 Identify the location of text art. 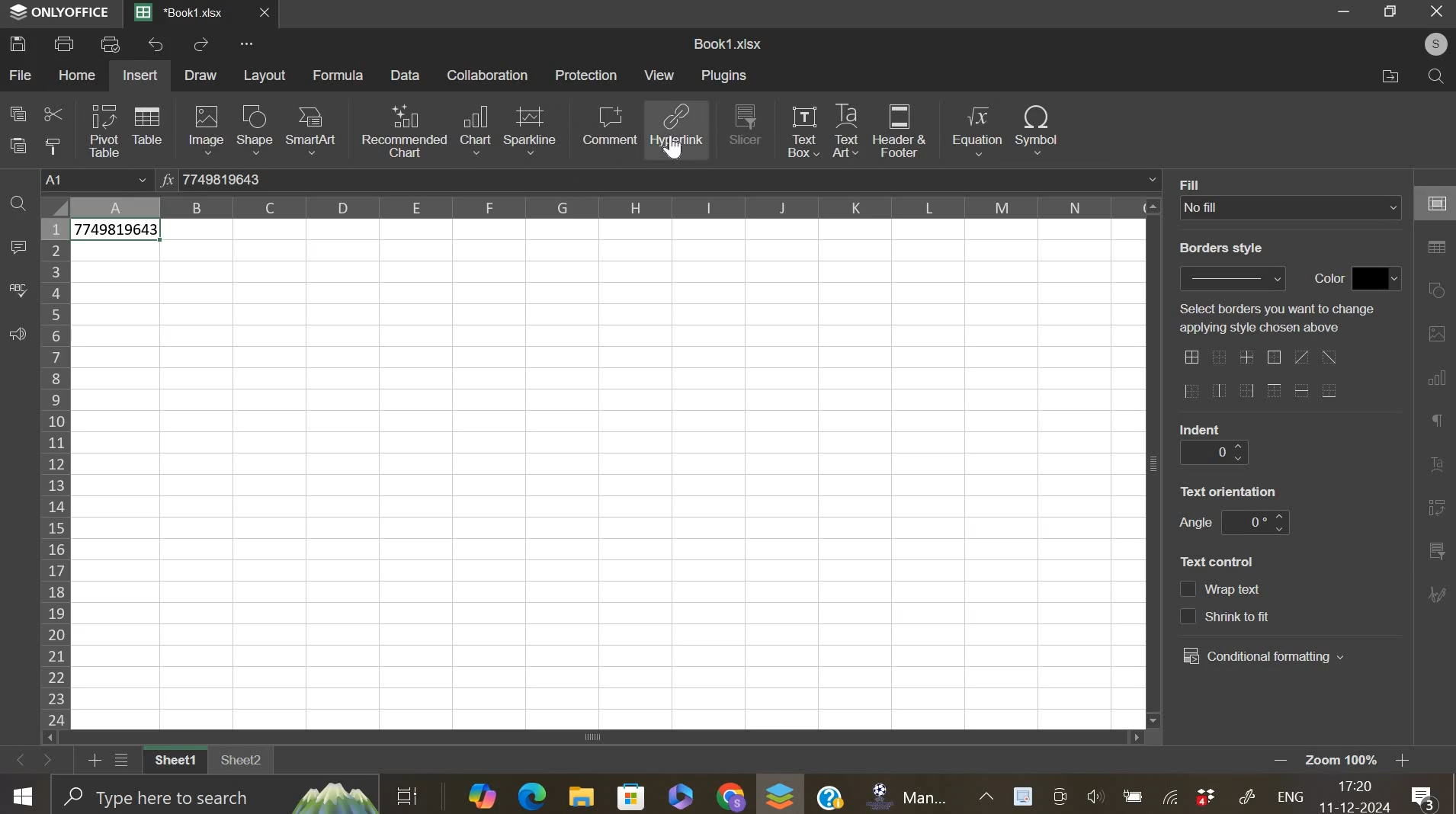
(845, 131).